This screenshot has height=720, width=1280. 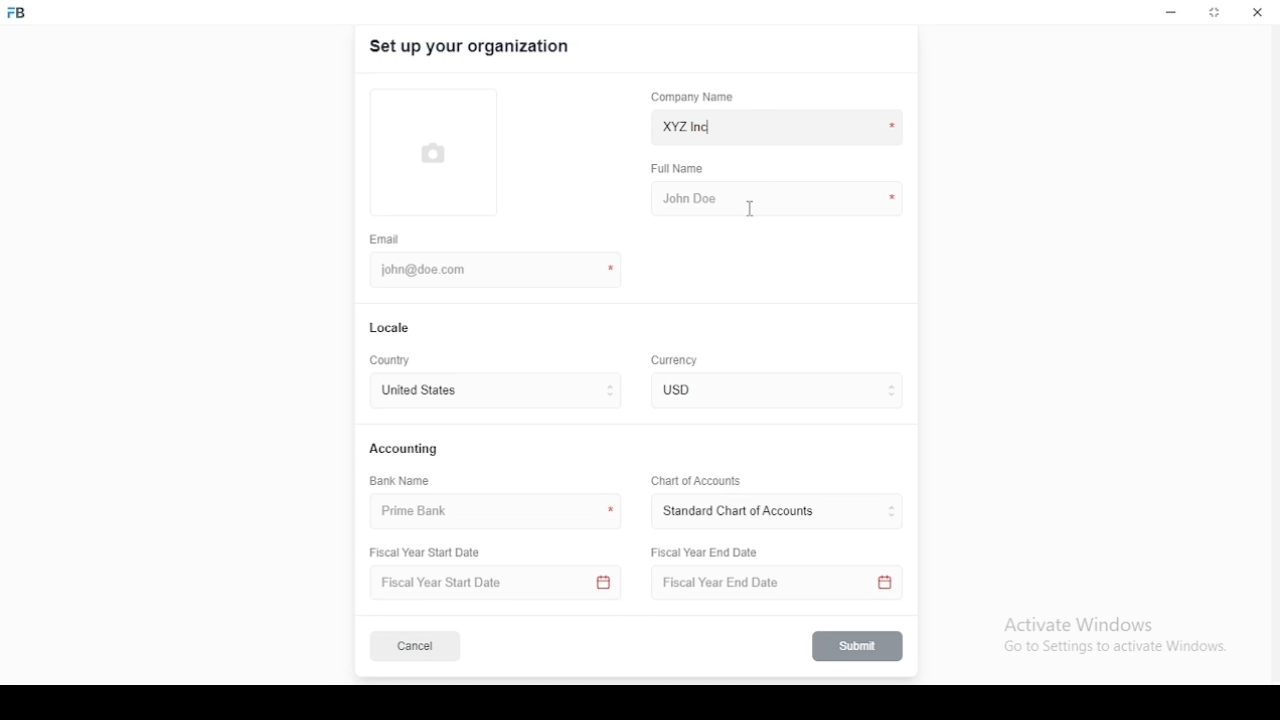 What do you see at coordinates (385, 239) in the screenshot?
I see `email` at bounding box center [385, 239].